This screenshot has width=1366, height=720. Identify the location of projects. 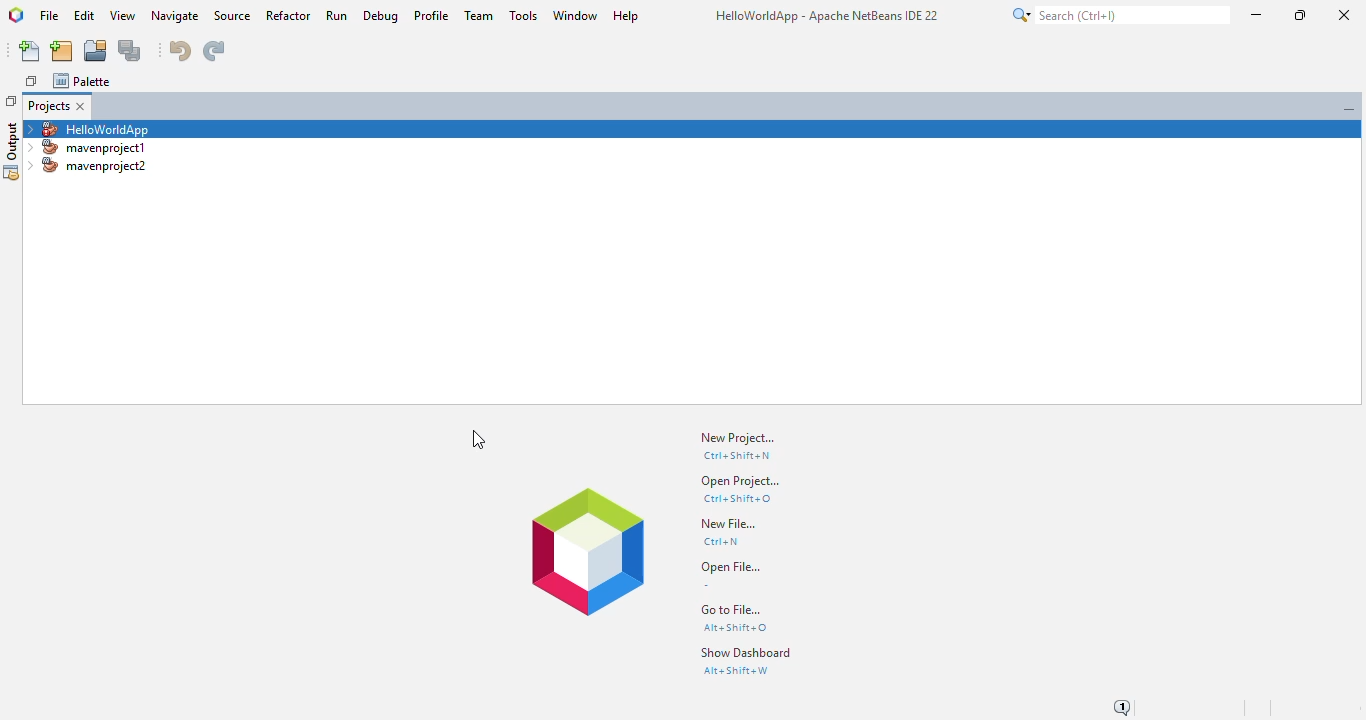
(49, 106).